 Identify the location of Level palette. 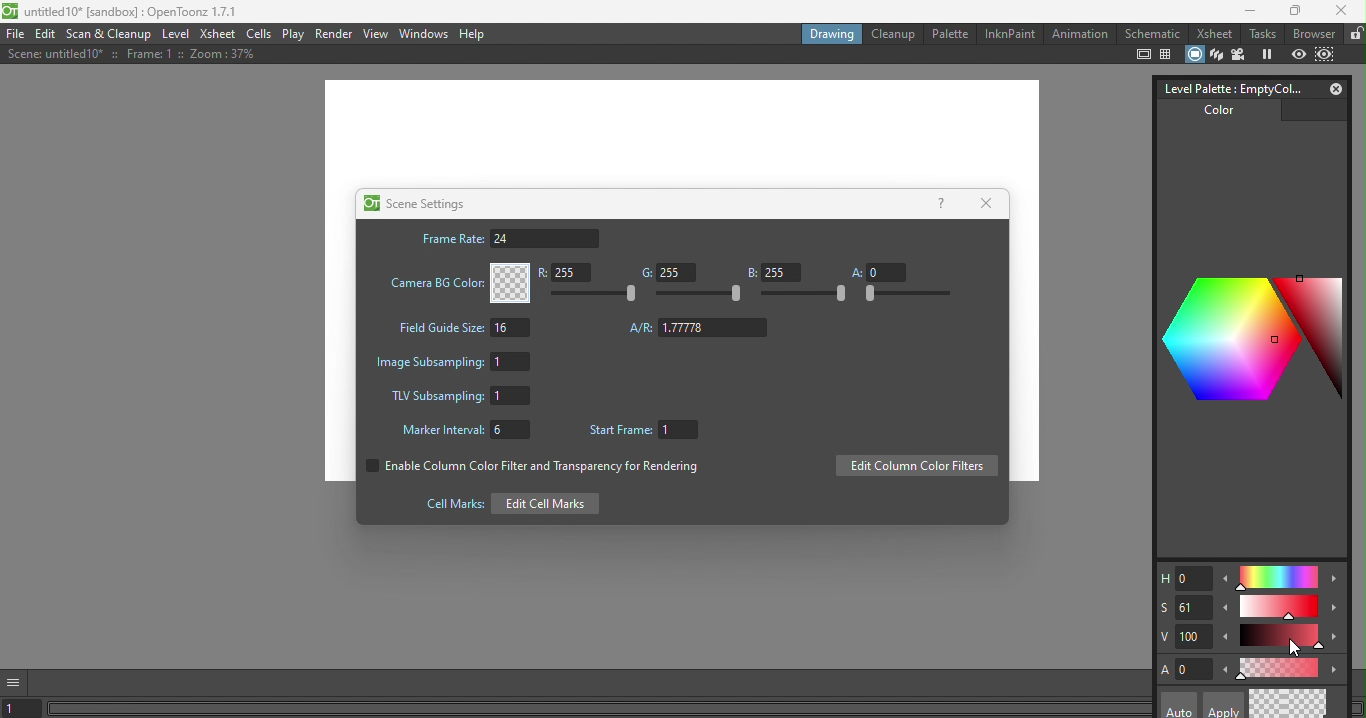
(1228, 87).